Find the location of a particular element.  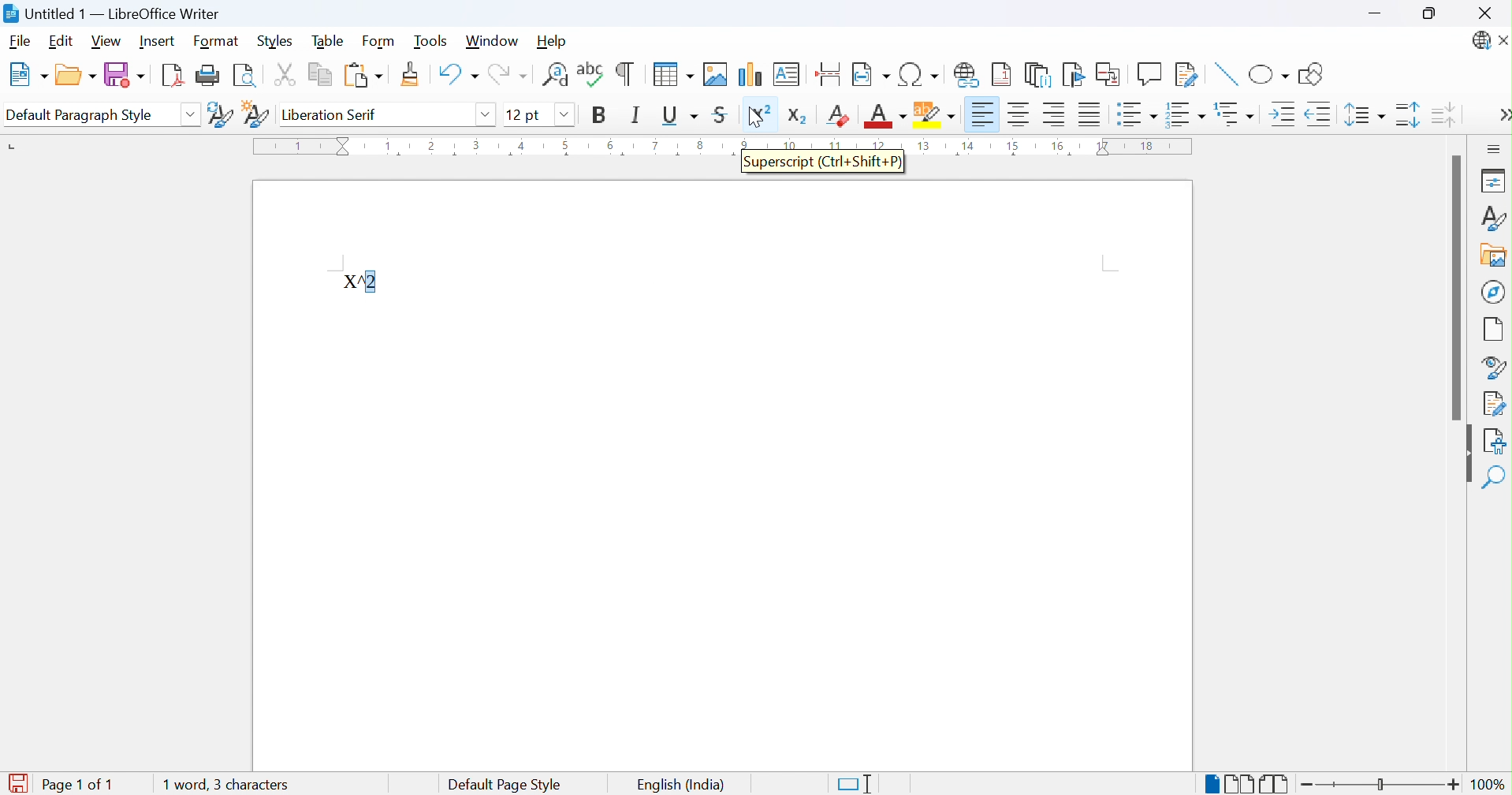

Strikethrough is located at coordinates (722, 114).